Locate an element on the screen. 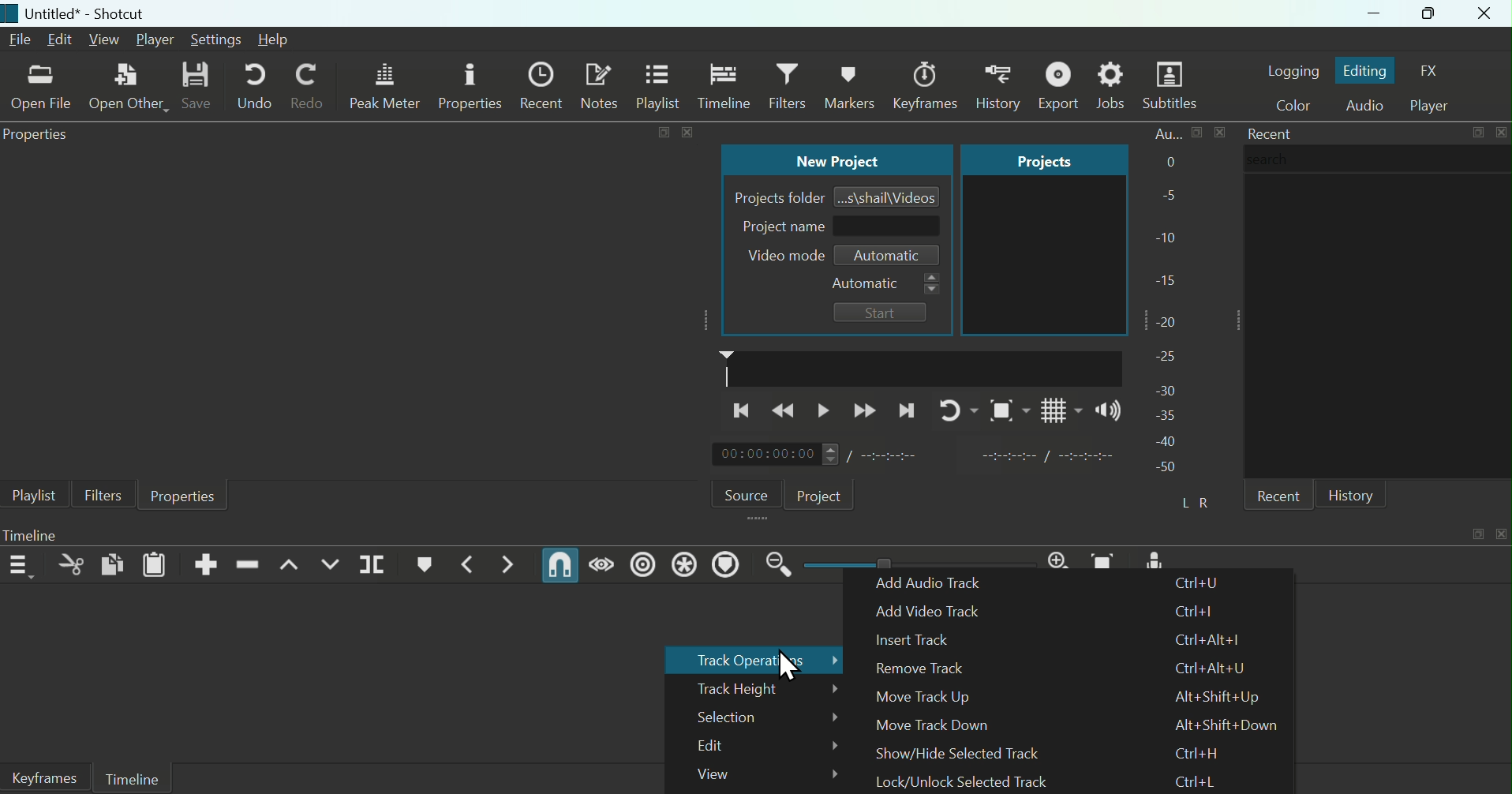 The width and height of the screenshot is (1512, 794). ...s\shail\Videos is located at coordinates (889, 196).